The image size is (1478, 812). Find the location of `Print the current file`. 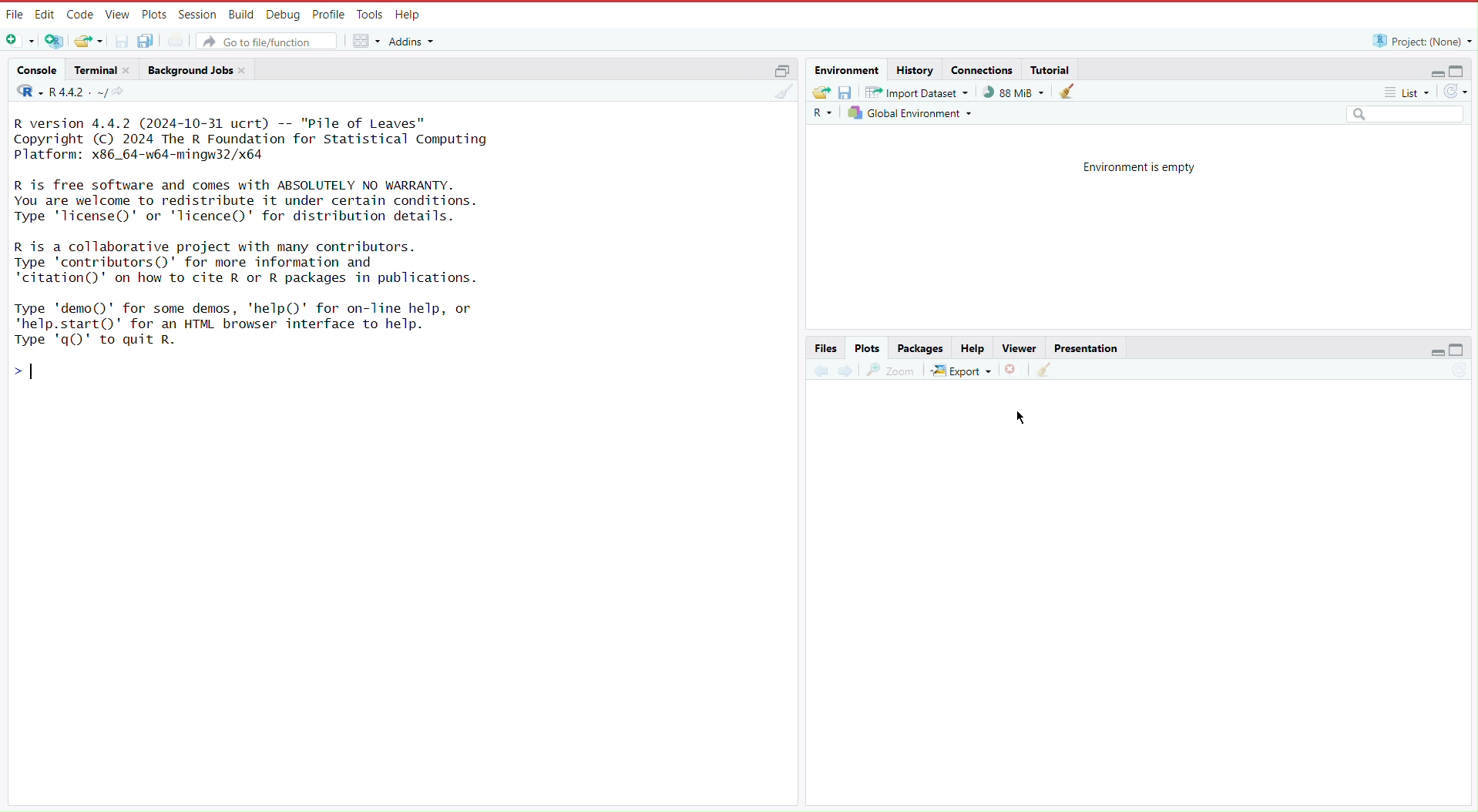

Print the current file is located at coordinates (183, 39).